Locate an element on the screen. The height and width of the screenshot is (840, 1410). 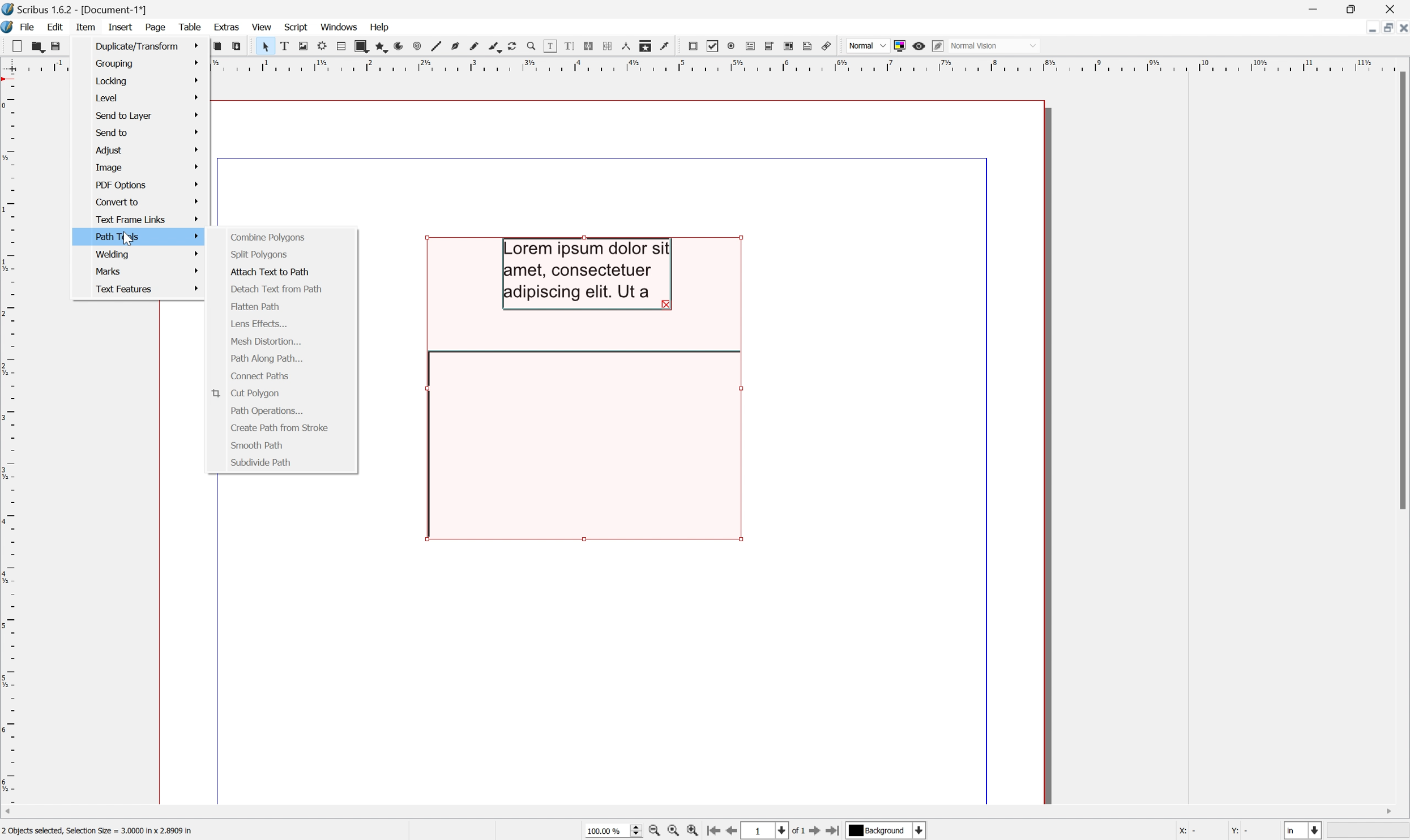
Combine polygons is located at coordinates (268, 238).